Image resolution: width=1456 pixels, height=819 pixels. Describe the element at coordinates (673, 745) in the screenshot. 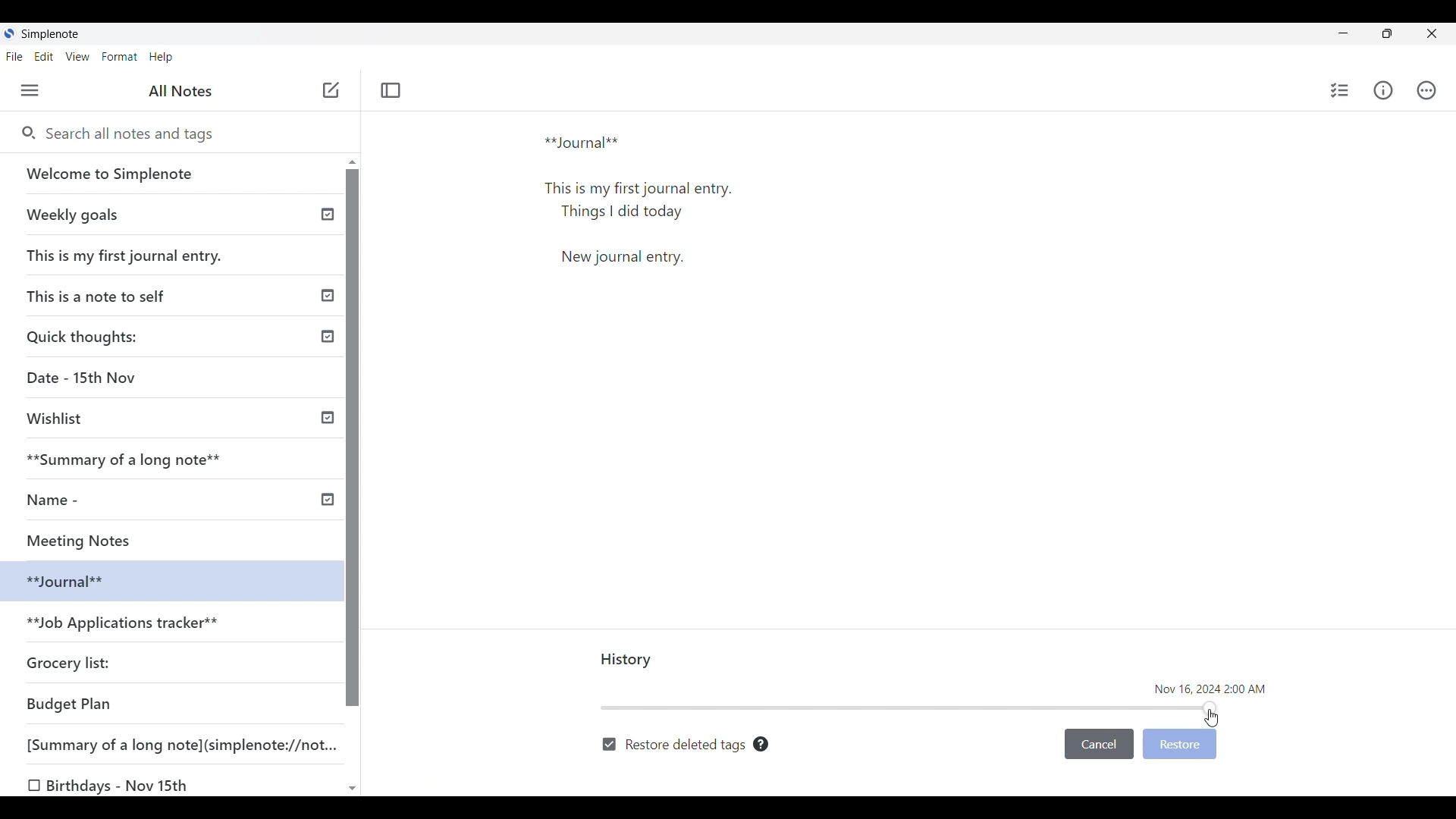

I see `Toggle to restore deleted tags` at that location.